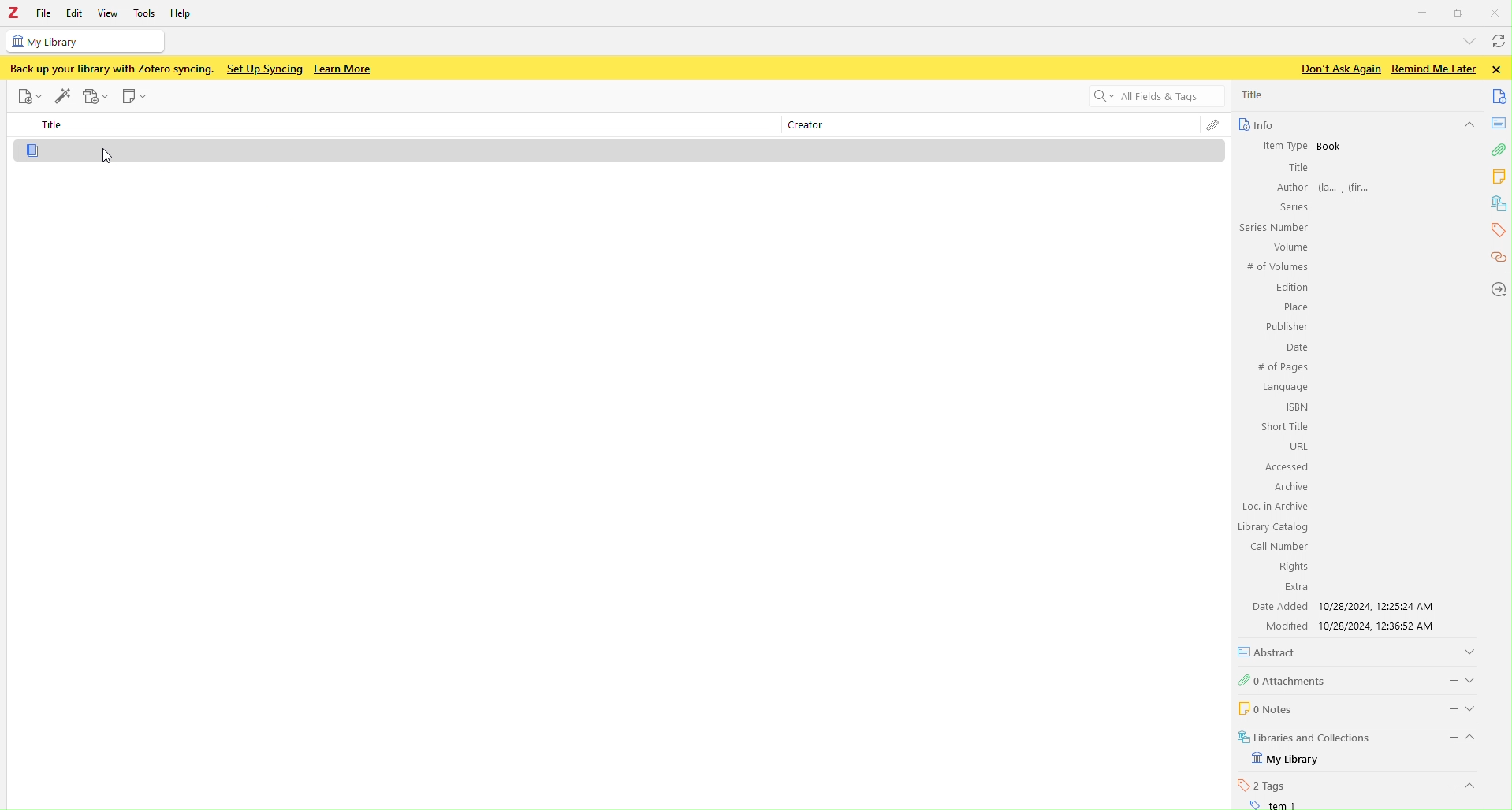 The image size is (1512, 810). What do you see at coordinates (1147, 98) in the screenshot?
I see `All fields and tags` at bounding box center [1147, 98].